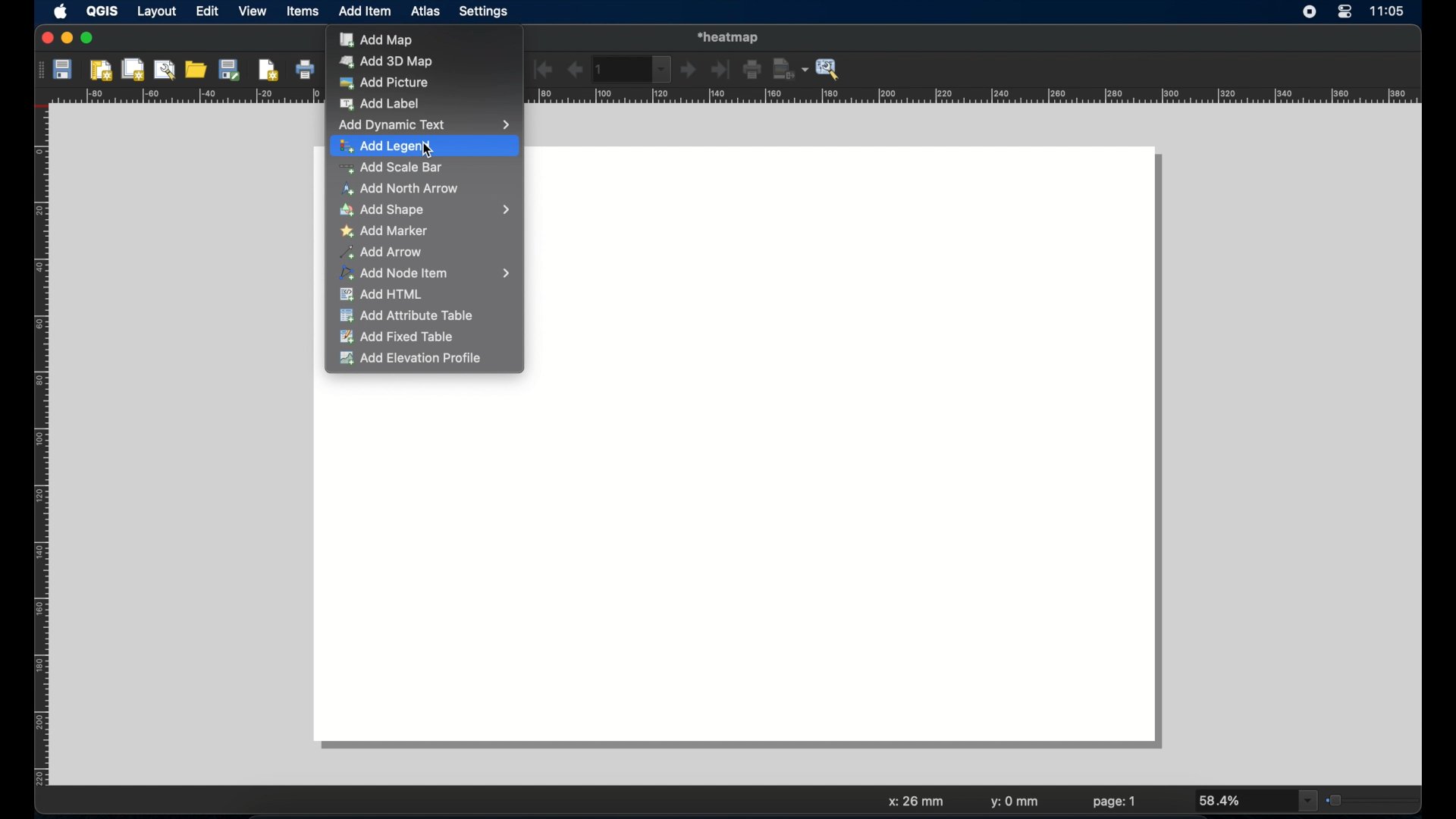 The height and width of the screenshot is (819, 1456). What do you see at coordinates (88, 39) in the screenshot?
I see `maximize` at bounding box center [88, 39].